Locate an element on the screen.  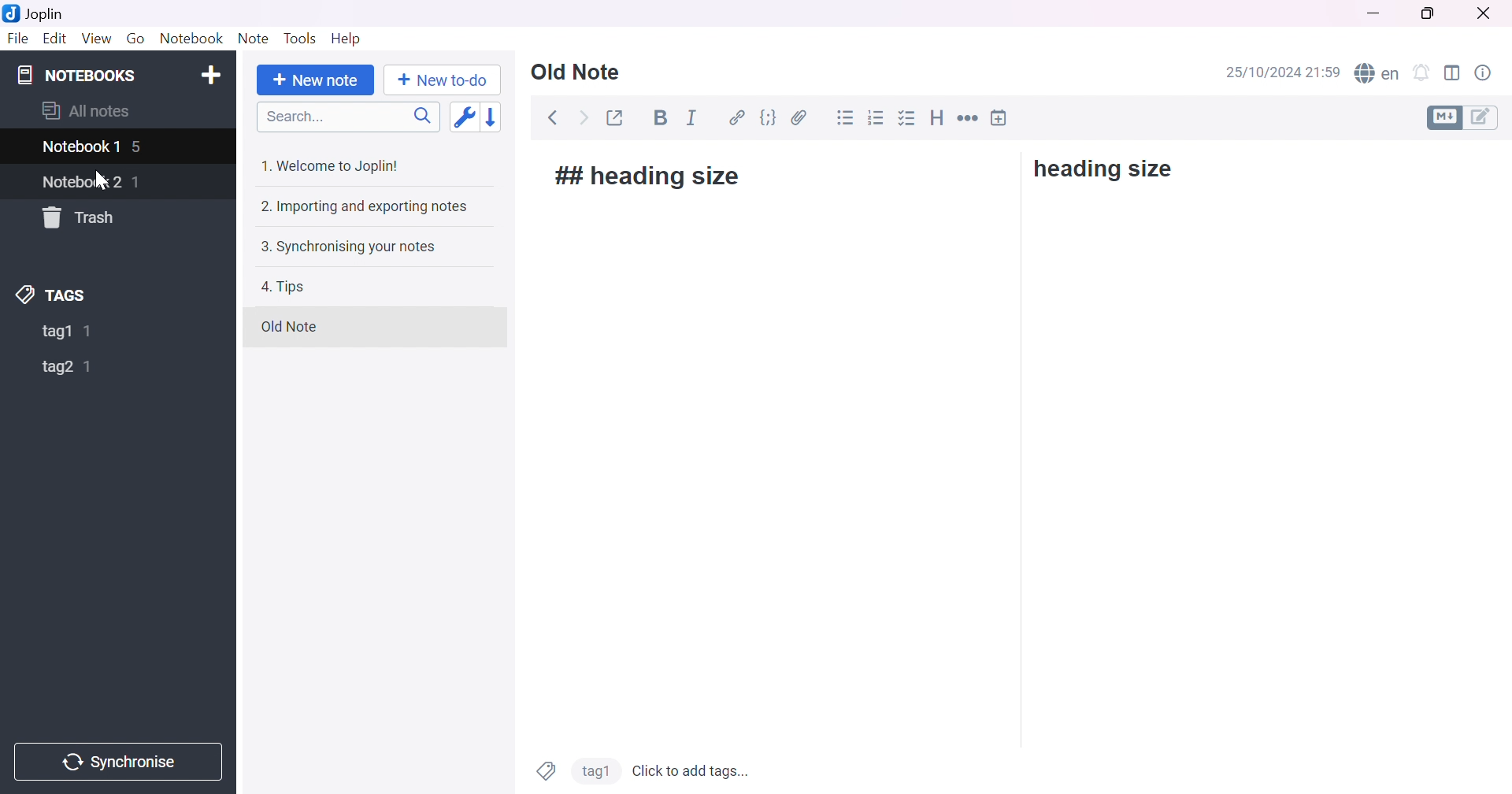
Synchronise is located at coordinates (119, 759).